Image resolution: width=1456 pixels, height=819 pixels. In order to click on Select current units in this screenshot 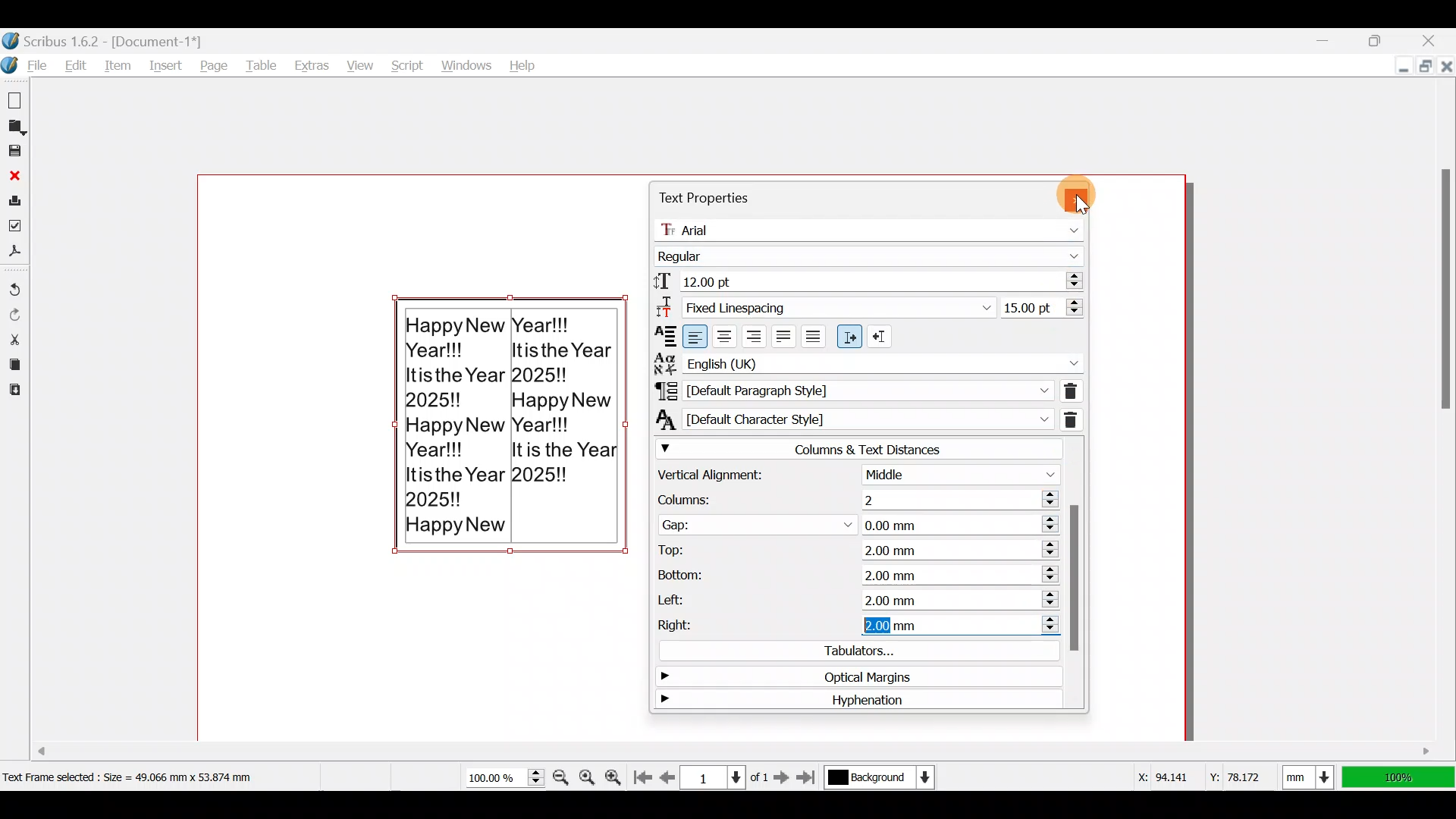, I will do `click(1312, 774)`.